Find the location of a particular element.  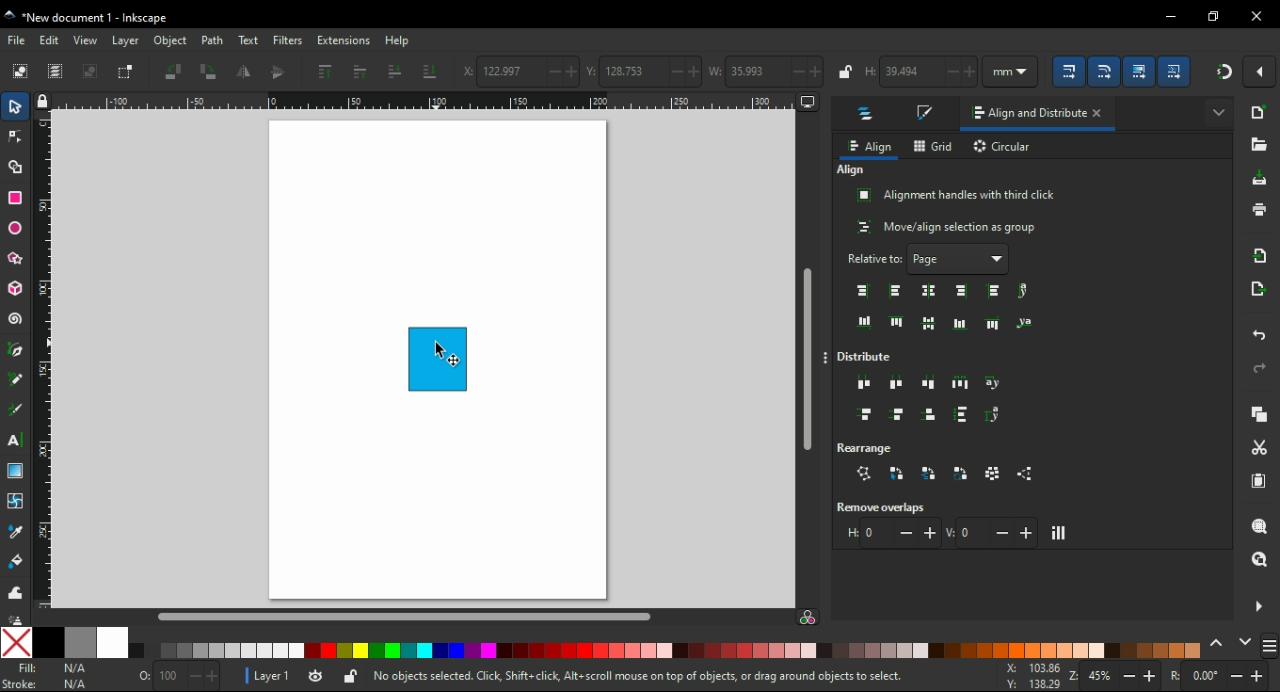

snap options is located at coordinates (1263, 70).